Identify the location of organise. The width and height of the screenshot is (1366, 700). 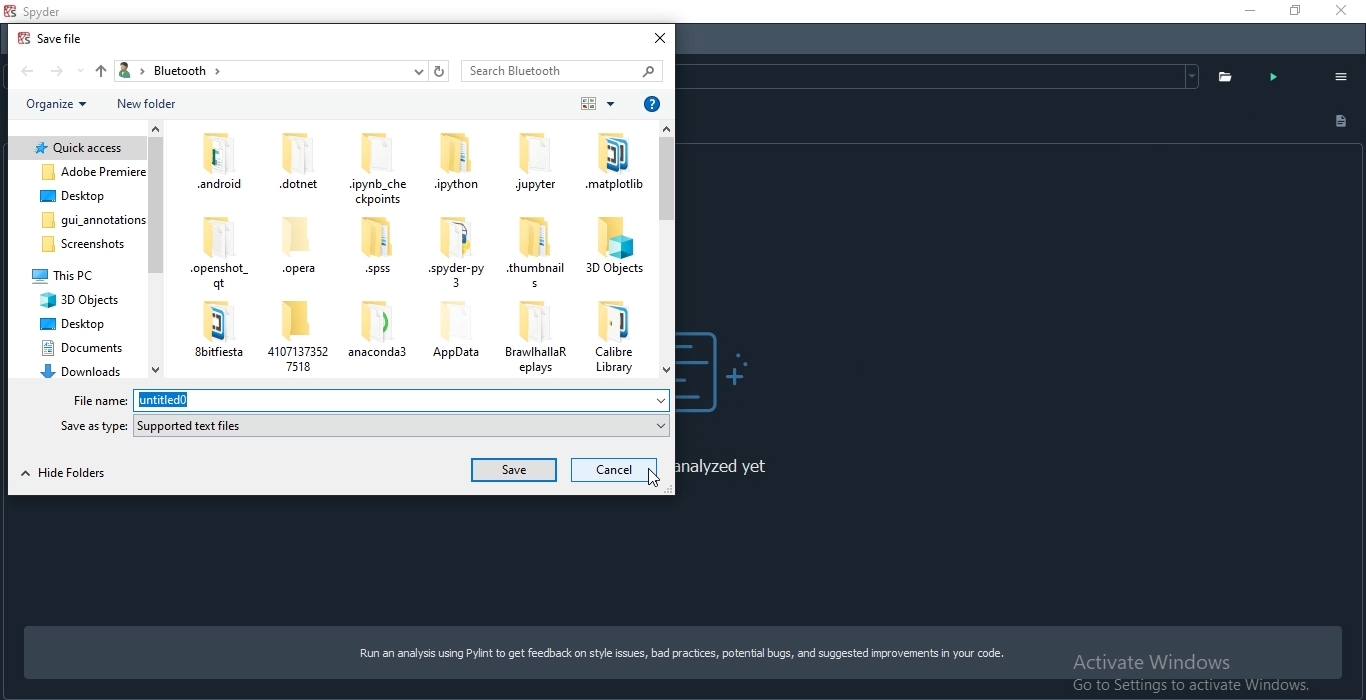
(58, 105).